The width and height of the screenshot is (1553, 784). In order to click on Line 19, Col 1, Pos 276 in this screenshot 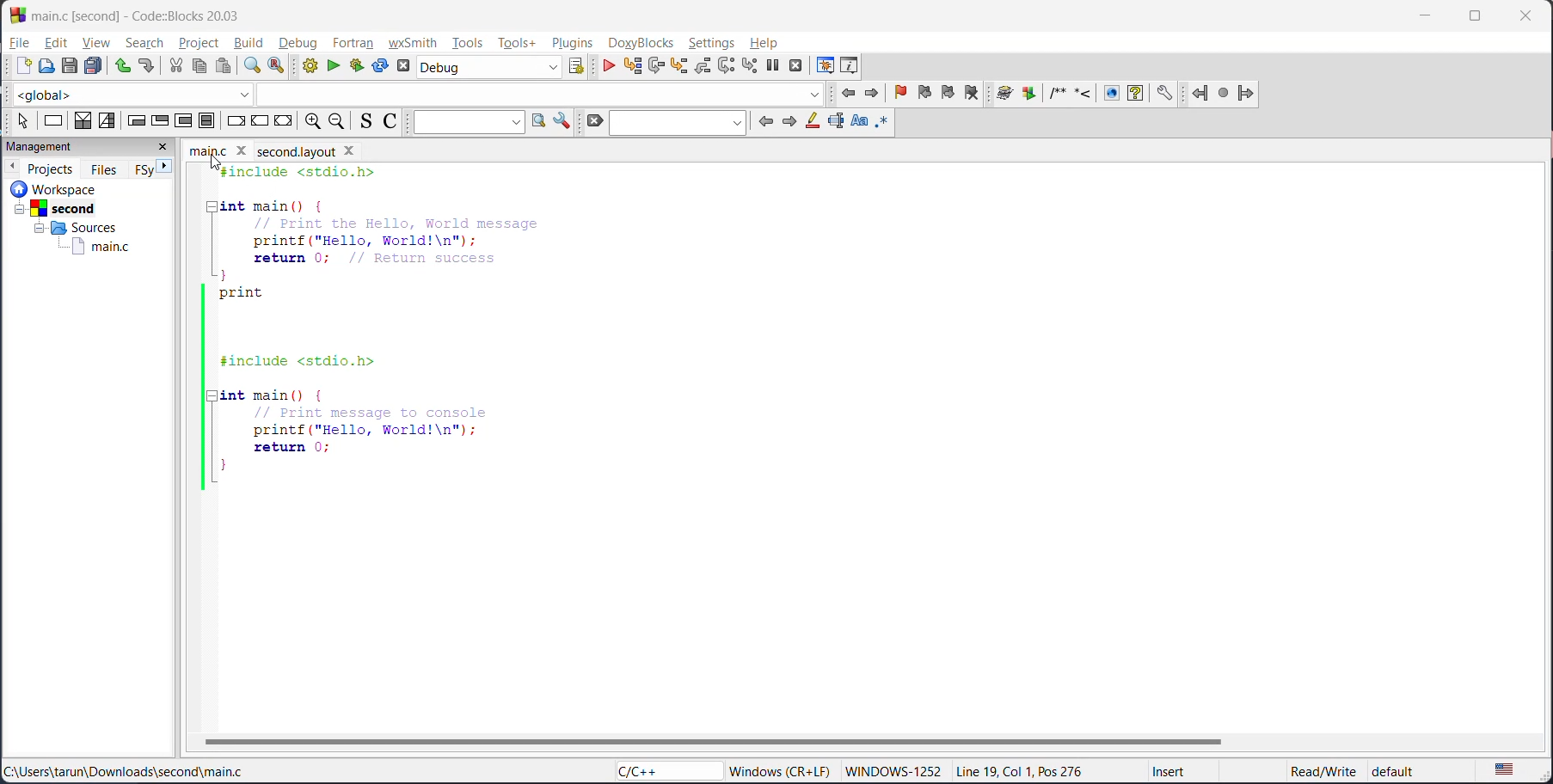, I will do `click(1027, 772)`.